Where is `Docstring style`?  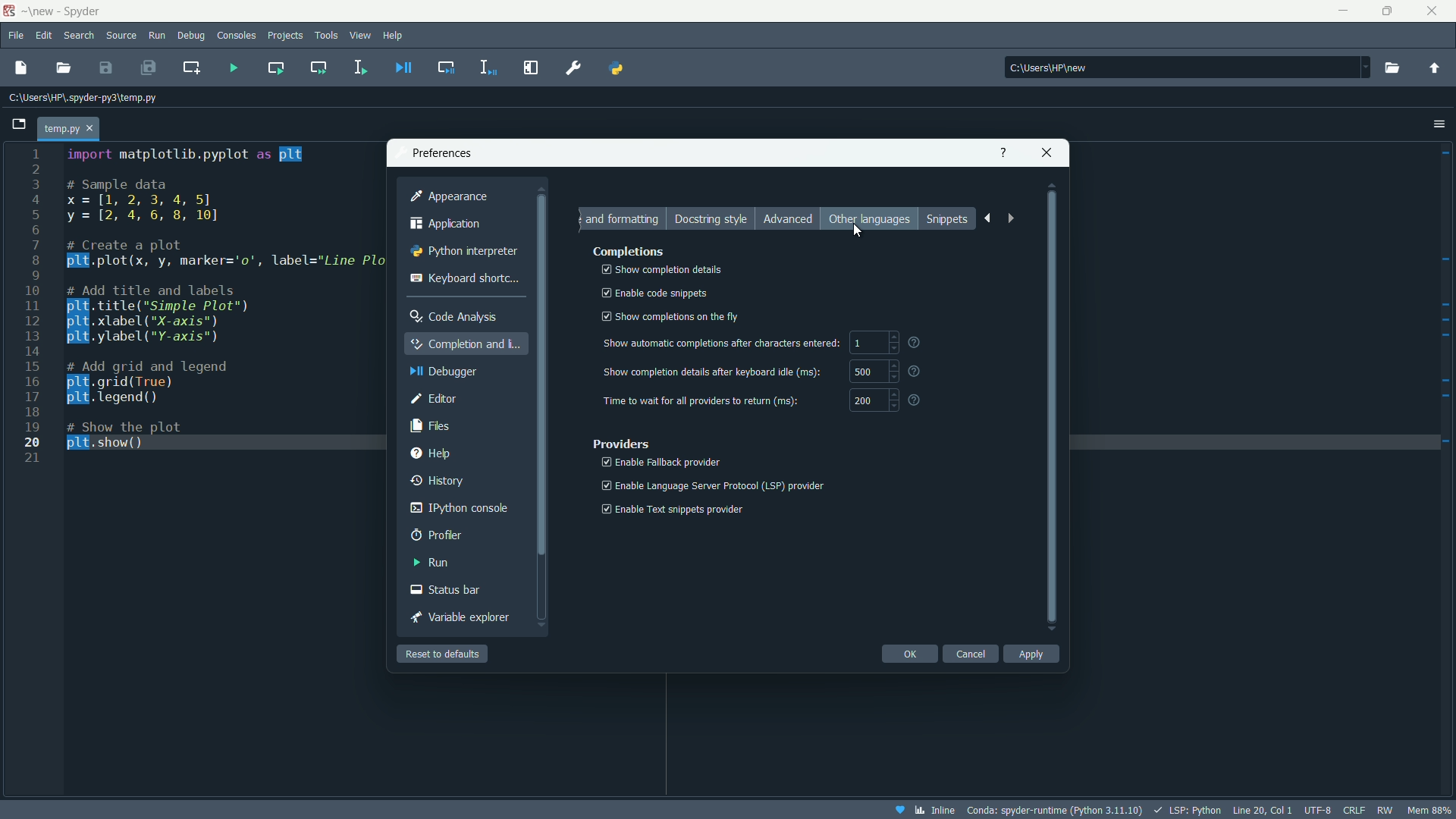
Docstring style is located at coordinates (706, 219).